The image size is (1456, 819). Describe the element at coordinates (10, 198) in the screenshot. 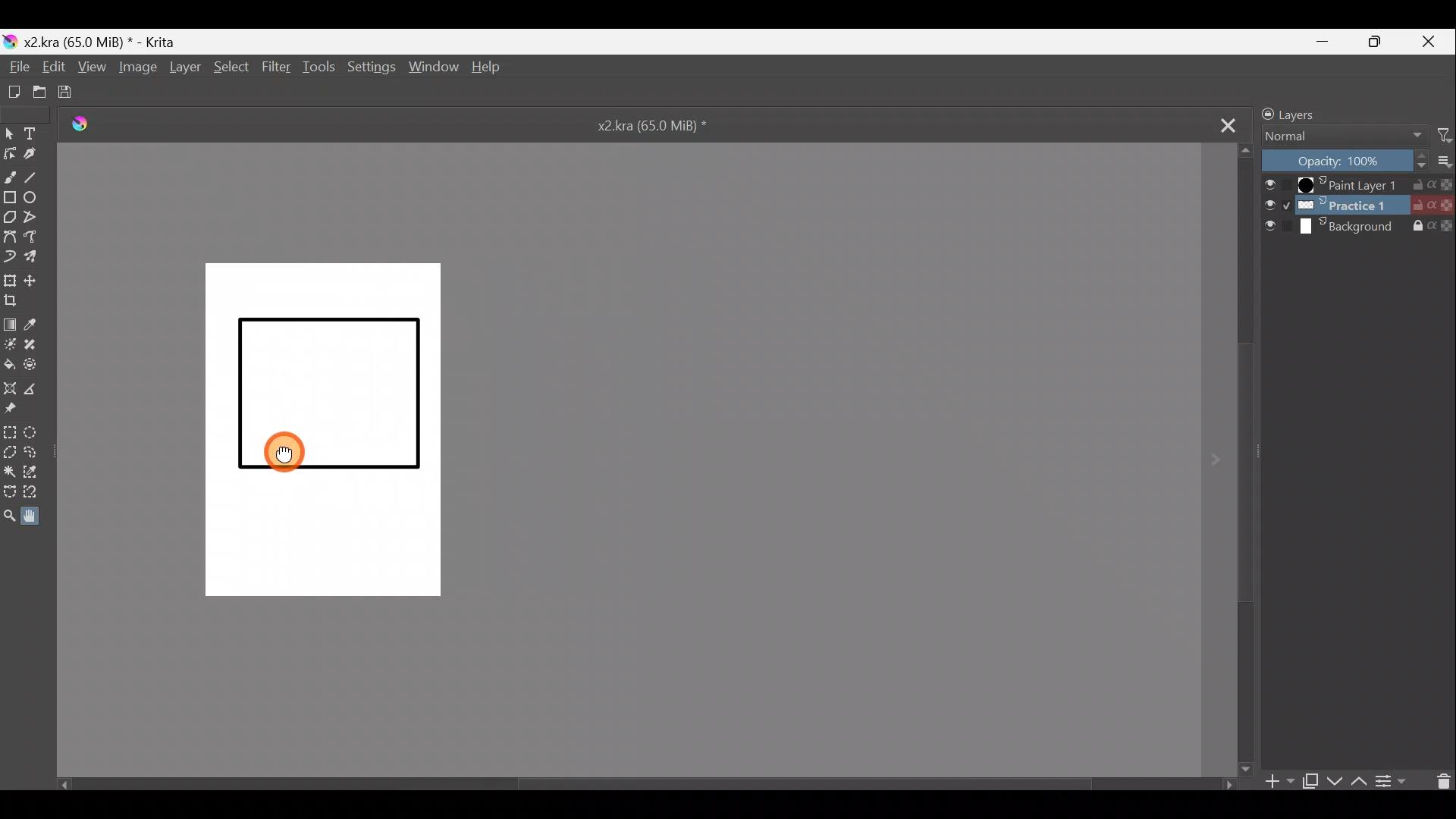

I see `Rectangle tool` at that location.